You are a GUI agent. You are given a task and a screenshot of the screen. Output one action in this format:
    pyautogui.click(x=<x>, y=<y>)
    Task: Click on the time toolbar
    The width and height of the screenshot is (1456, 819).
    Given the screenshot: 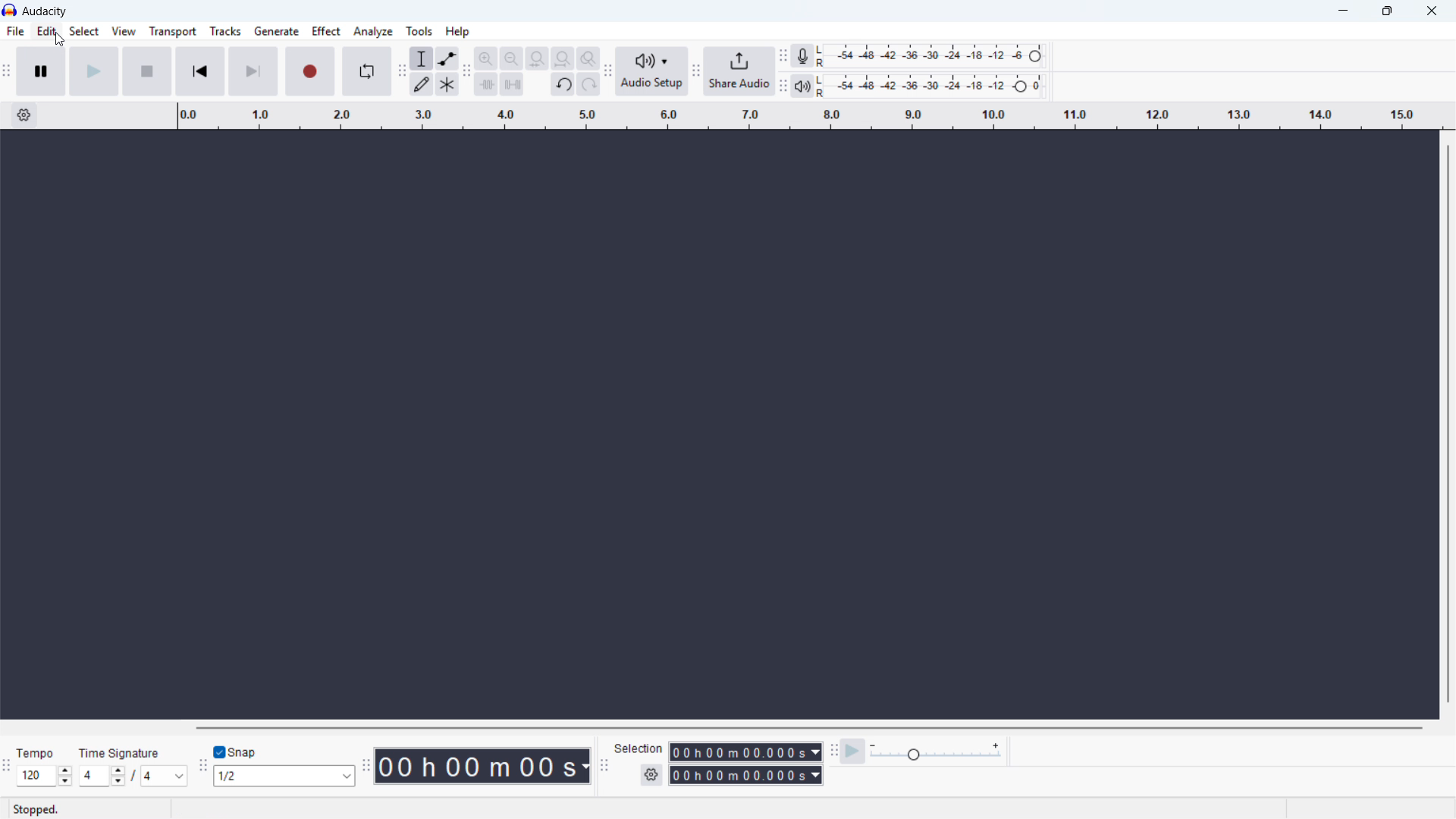 What is the action you would take?
    pyautogui.click(x=364, y=767)
    